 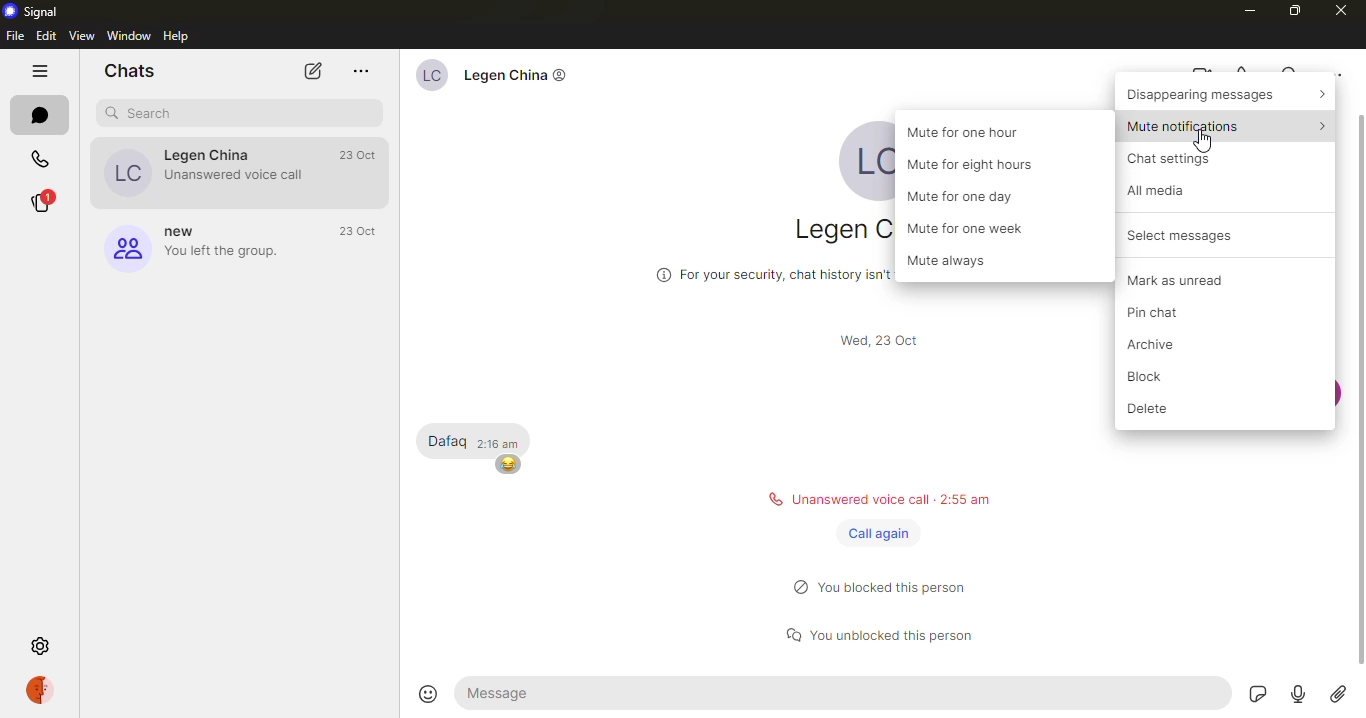 What do you see at coordinates (509, 465) in the screenshot?
I see `emoji` at bounding box center [509, 465].